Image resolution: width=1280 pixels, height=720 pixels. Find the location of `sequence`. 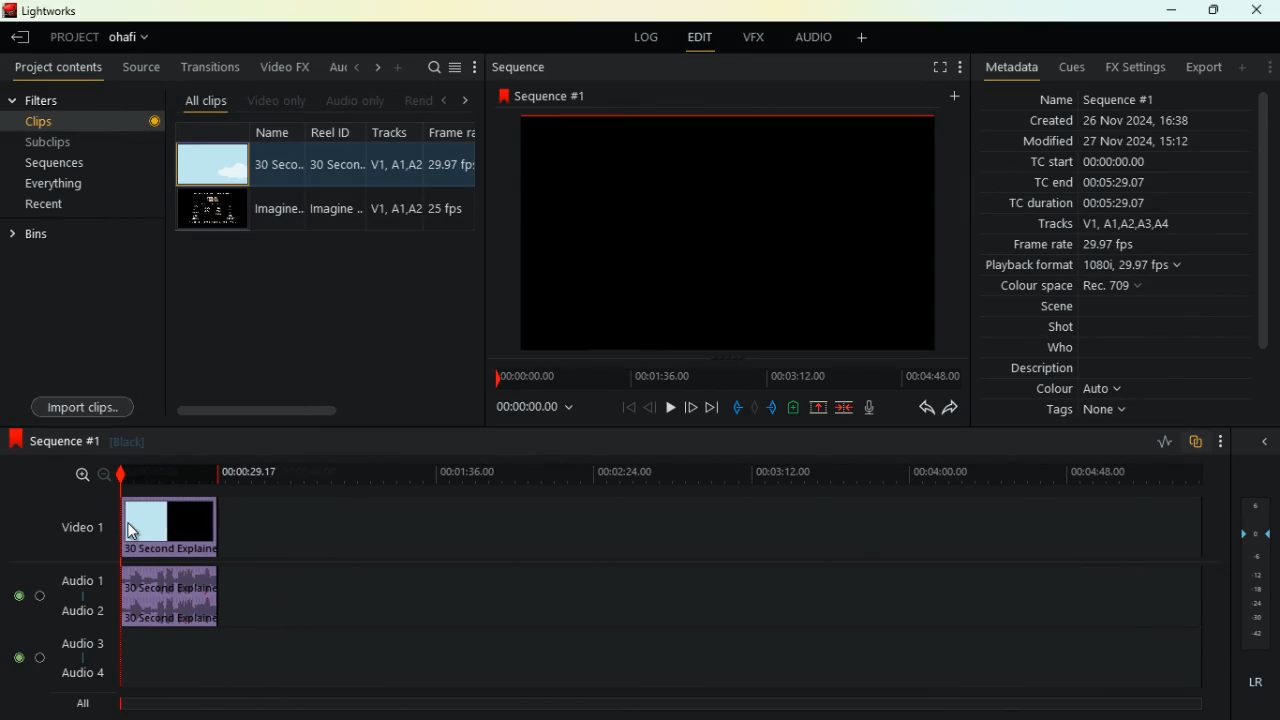

sequence is located at coordinates (542, 97).